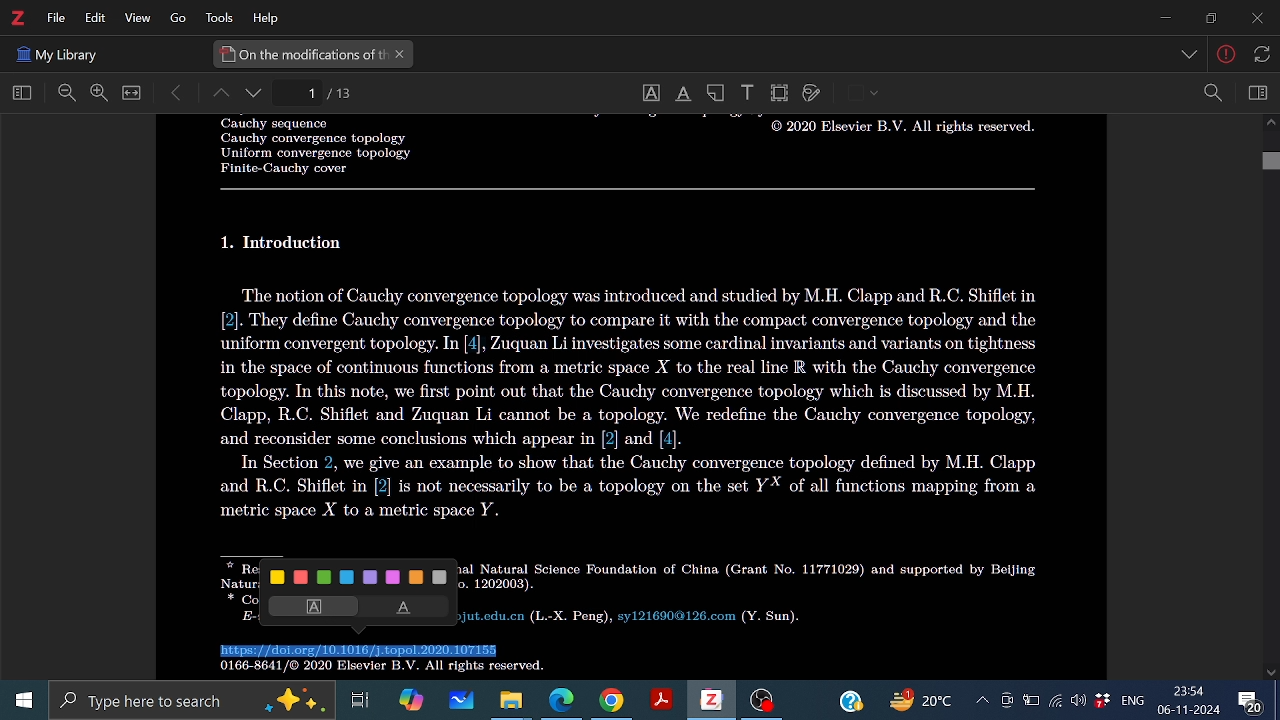  Describe the element at coordinates (650, 93) in the screenshot. I see `Select text` at that location.